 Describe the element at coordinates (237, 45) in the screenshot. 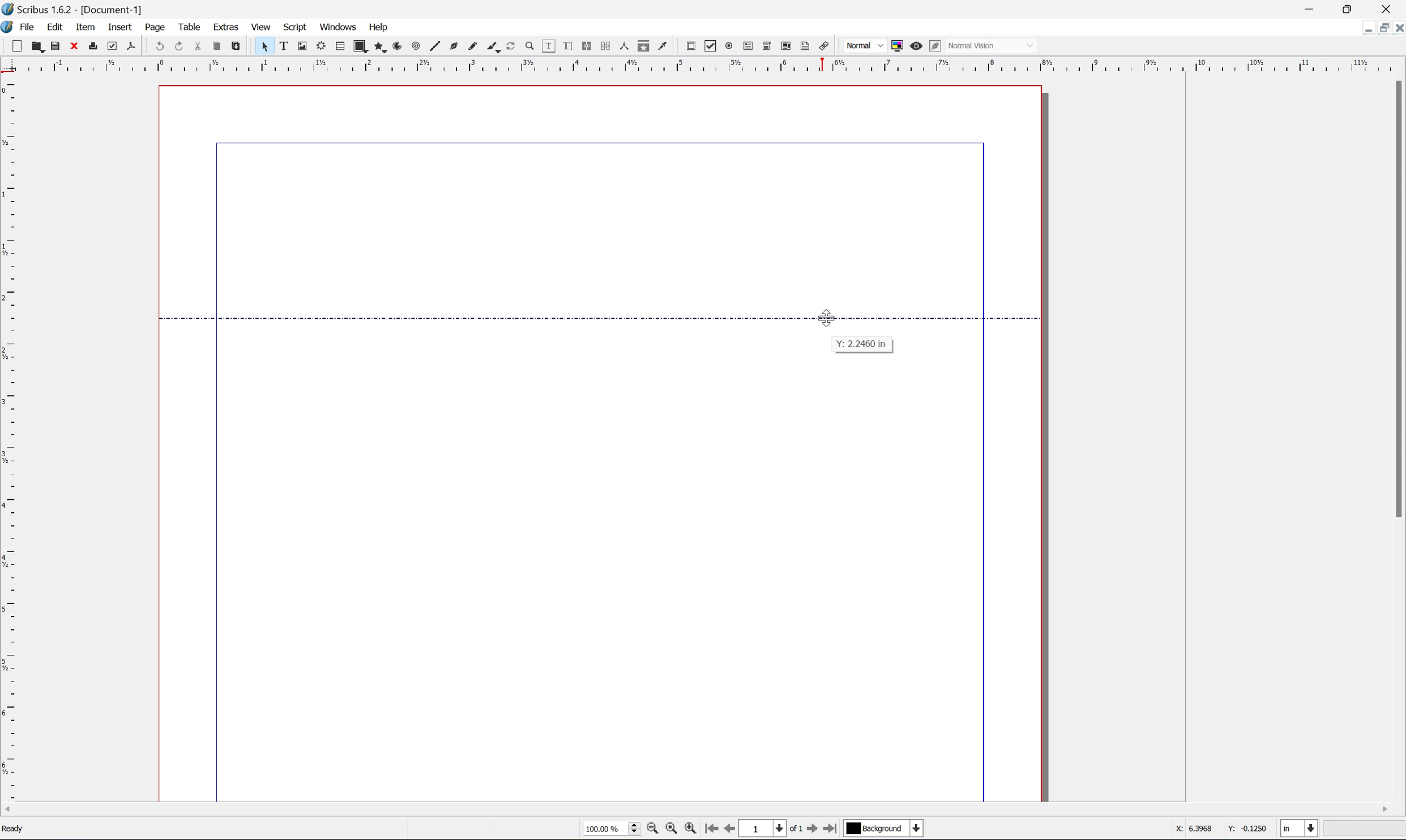

I see `paste` at that location.